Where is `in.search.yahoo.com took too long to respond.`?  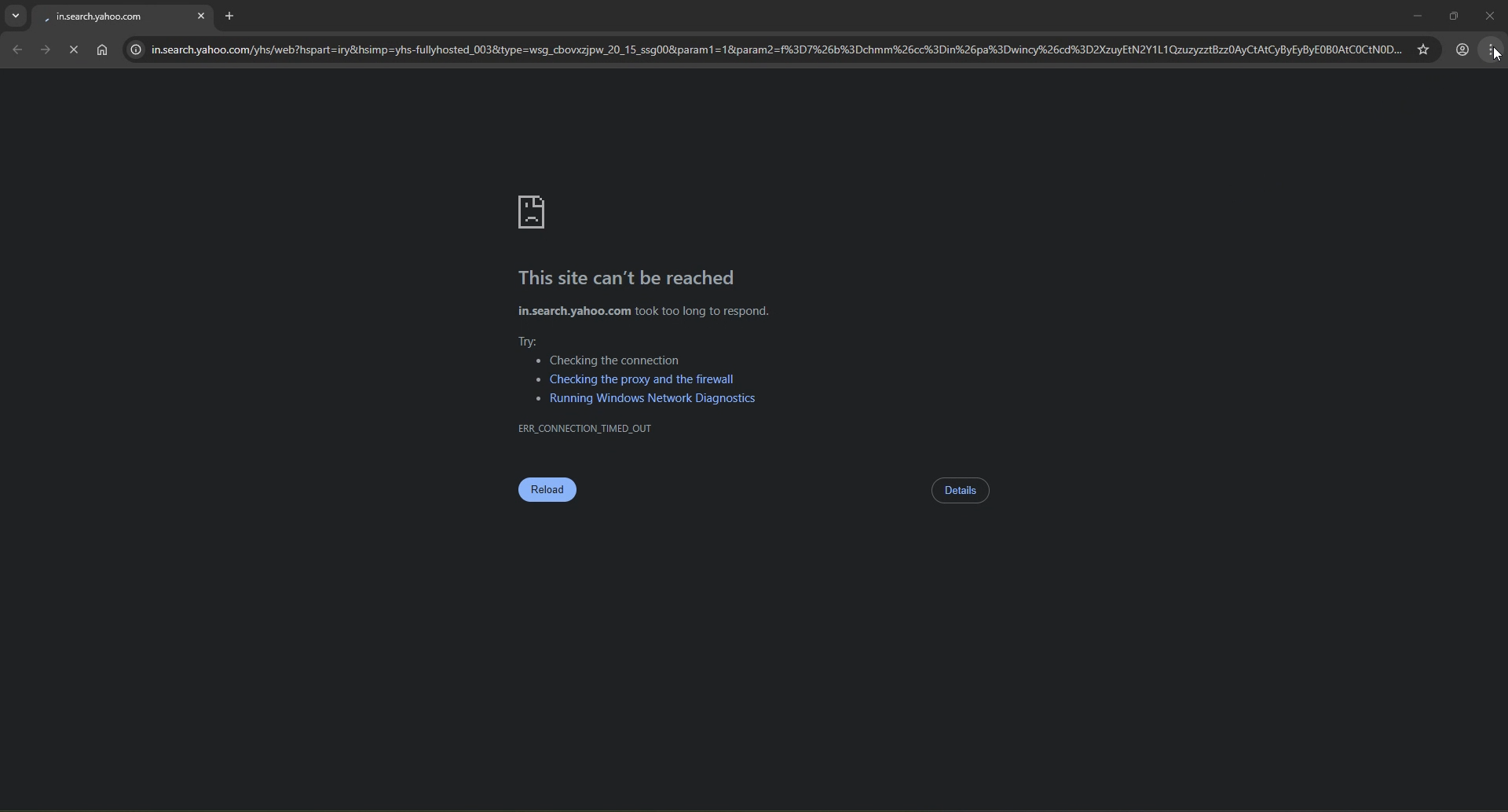
in.search.yahoo.com took too long to respond. is located at coordinates (643, 312).